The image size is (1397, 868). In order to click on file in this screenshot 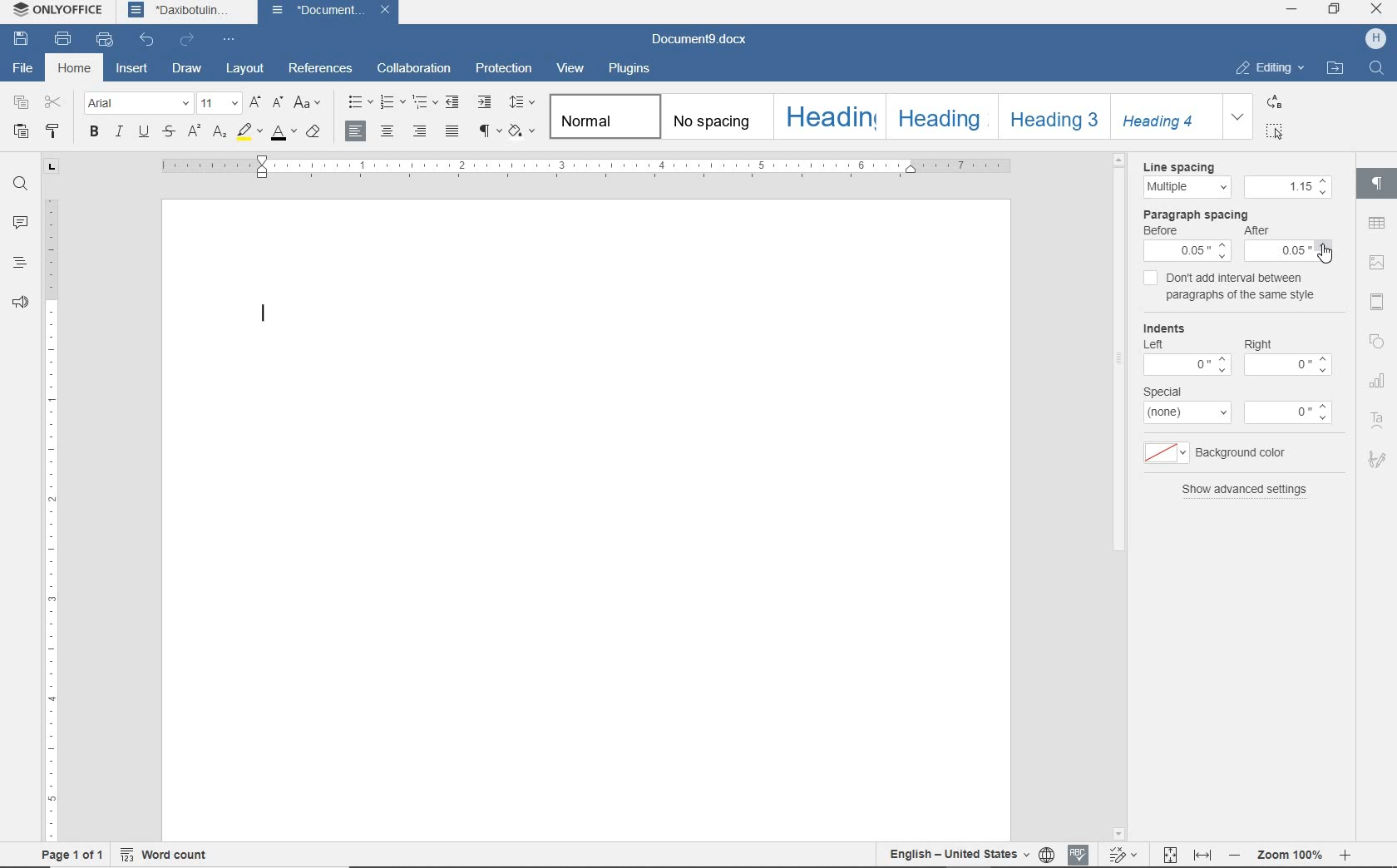, I will do `click(24, 72)`.